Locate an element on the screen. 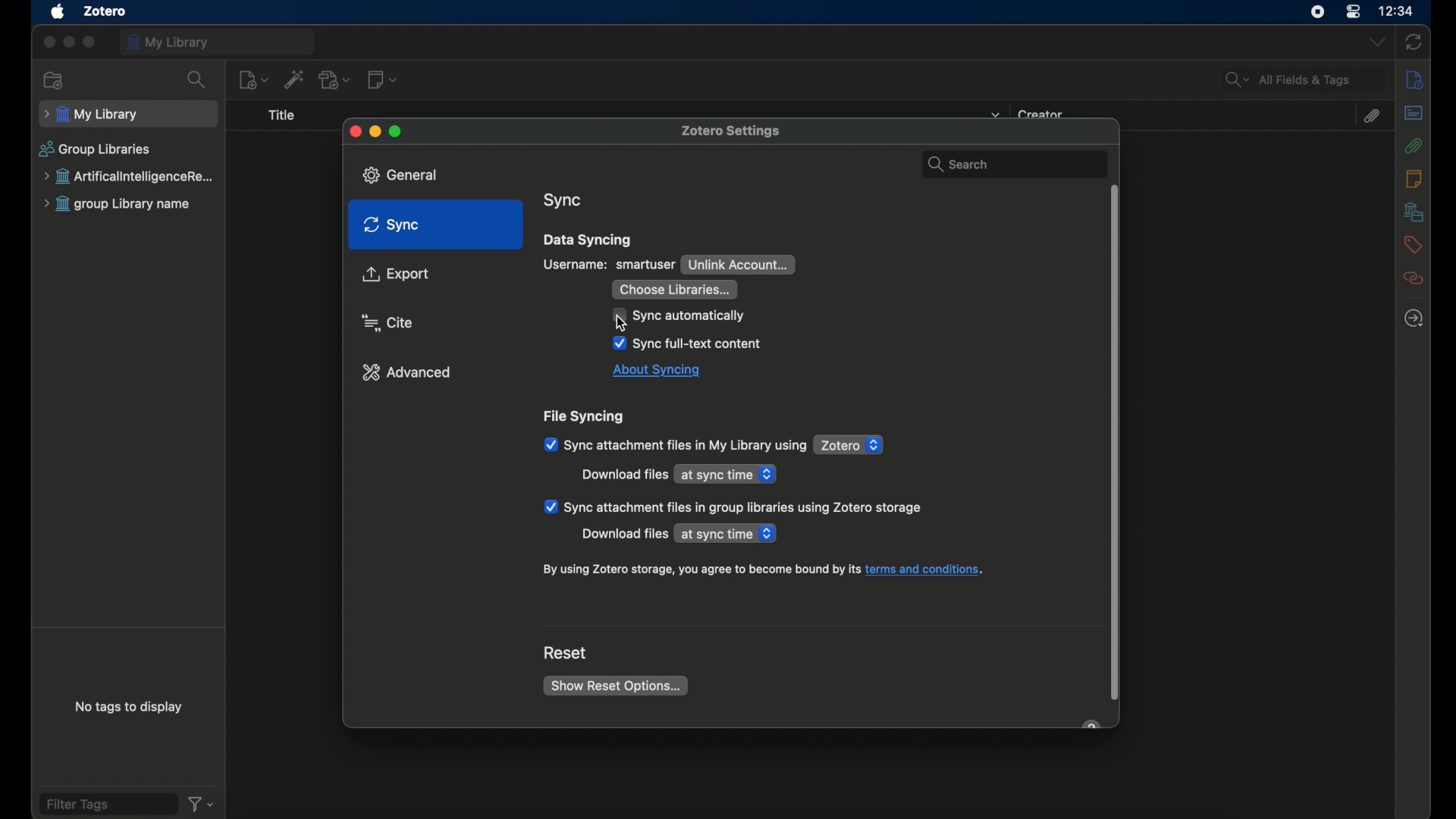 The width and height of the screenshot is (1456, 819). info is located at coordinates (1414, 80).